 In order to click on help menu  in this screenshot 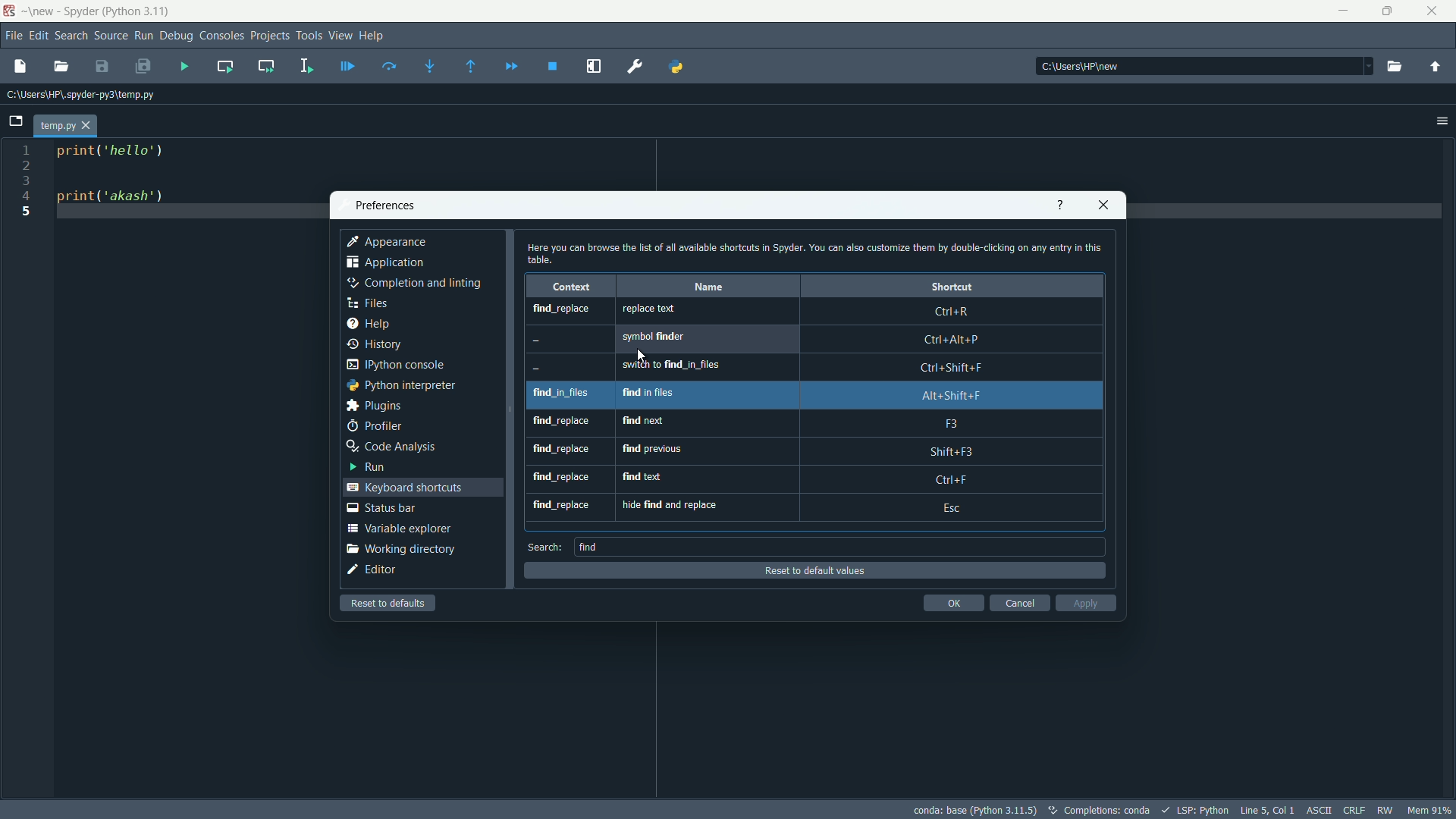, I will do `click(378, 33)`.